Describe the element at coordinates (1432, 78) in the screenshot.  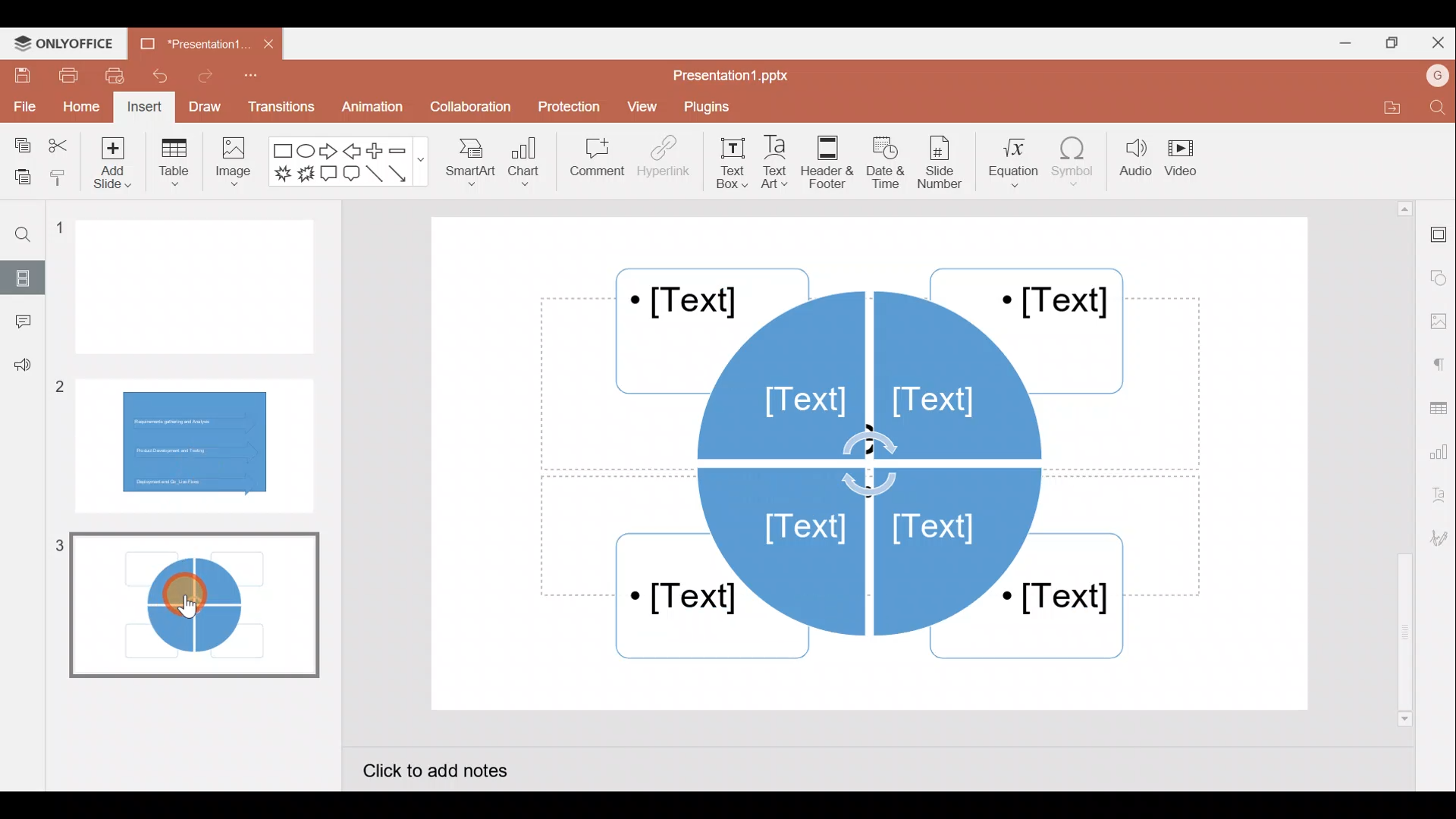
I see `Account name` at that location.